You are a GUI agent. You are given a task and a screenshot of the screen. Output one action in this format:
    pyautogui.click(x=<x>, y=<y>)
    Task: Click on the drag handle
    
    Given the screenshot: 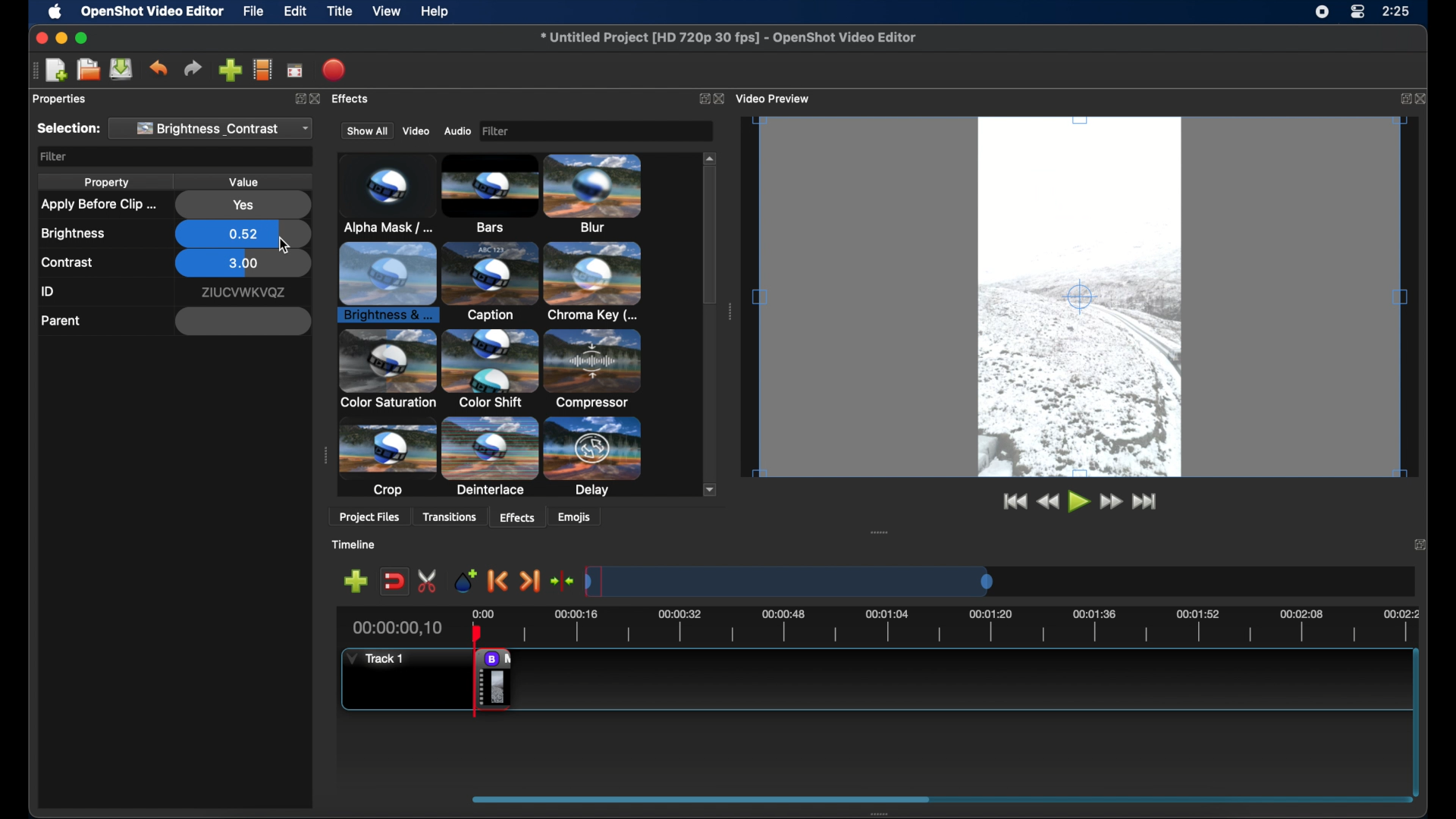 What is the action you would take?
    pyautogui.click(x=33, y=71)
    